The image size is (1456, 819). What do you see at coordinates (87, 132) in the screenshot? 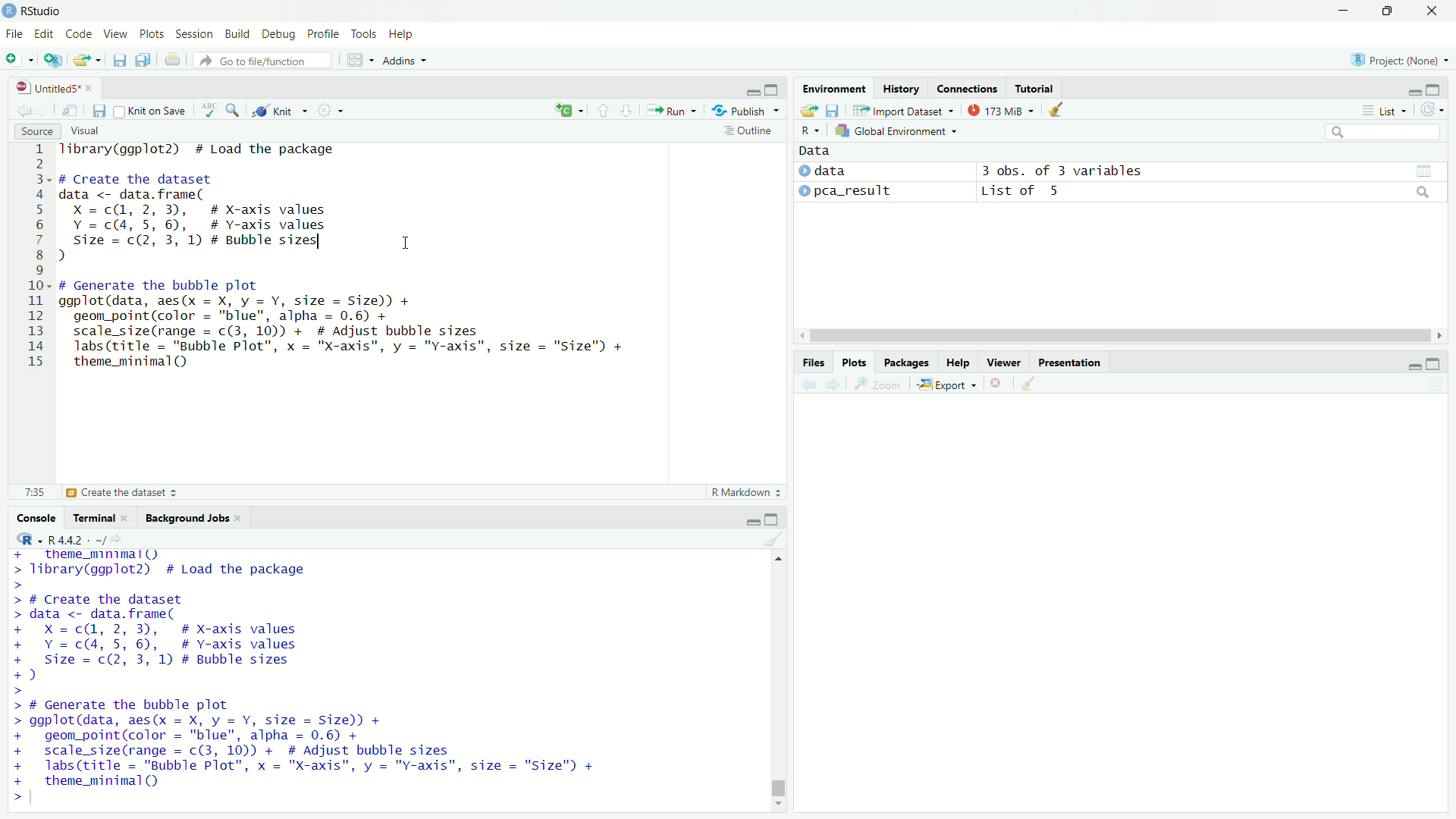
I see `visual` at bounding box center [87, 132].